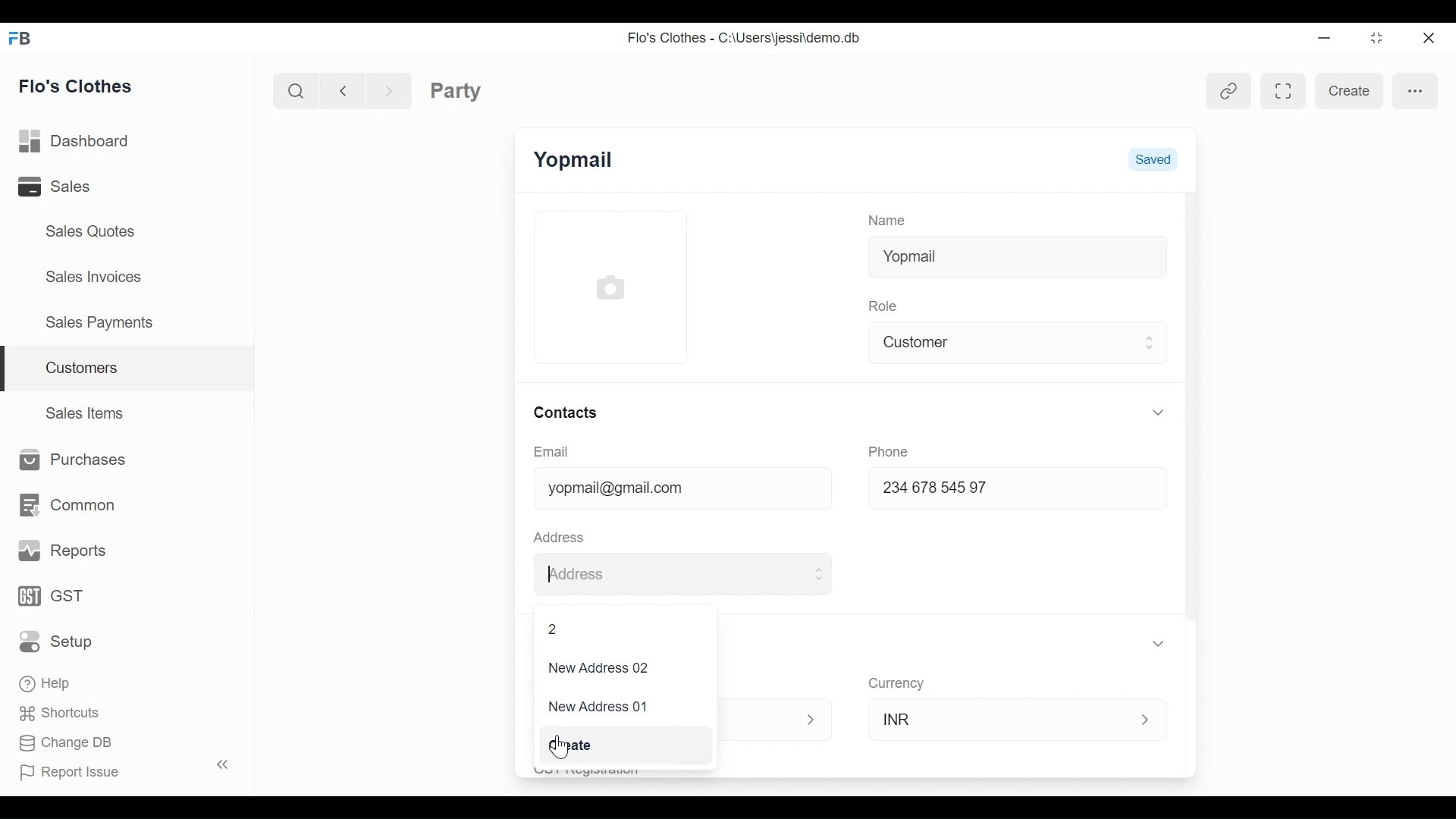 The image size is (1456, 819). Describe the element at coordinates (1146, 717) in the screenshot. I see `Expand` at that location.